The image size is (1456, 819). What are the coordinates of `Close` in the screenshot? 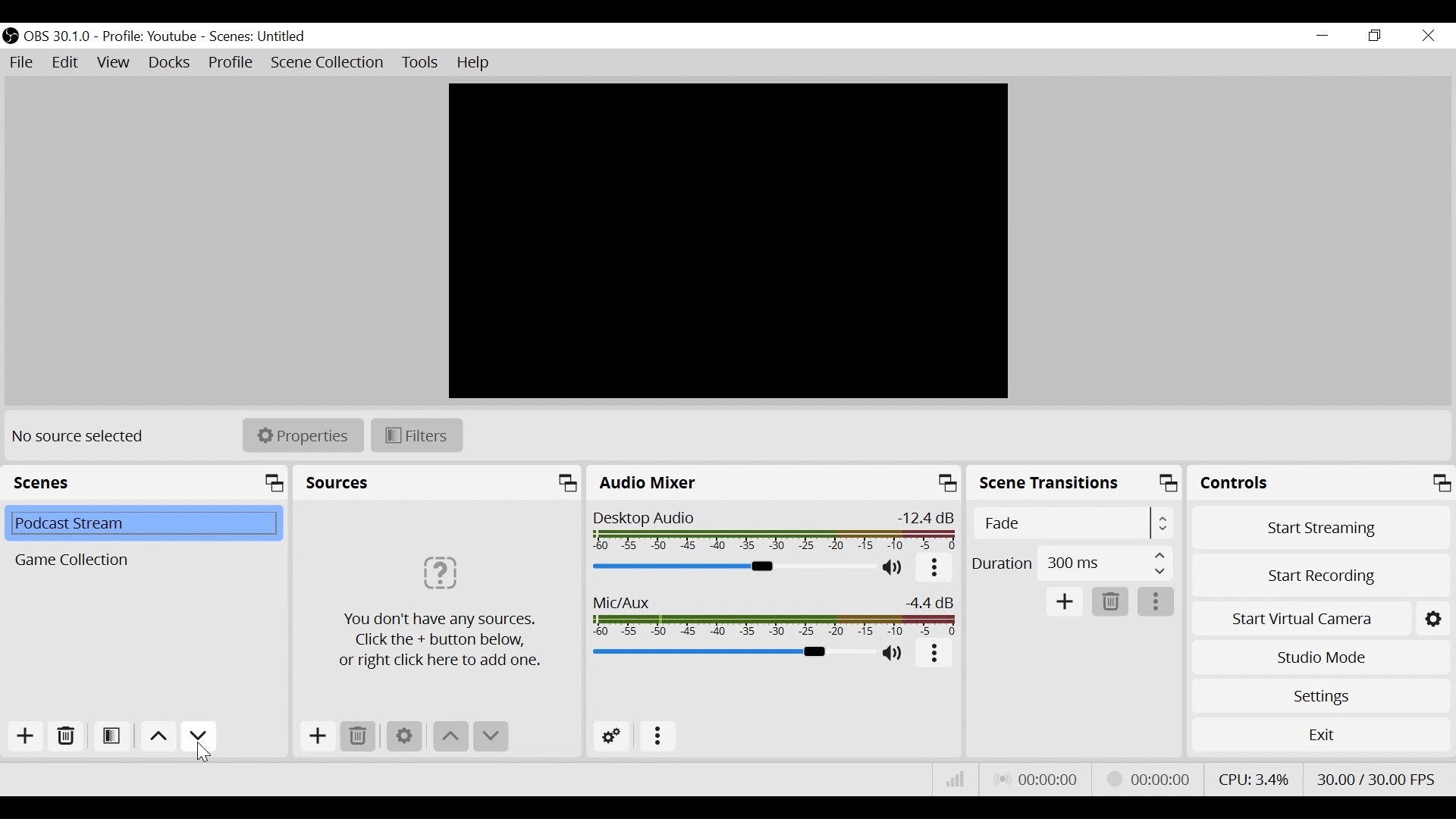 It's located at (1427, 36).